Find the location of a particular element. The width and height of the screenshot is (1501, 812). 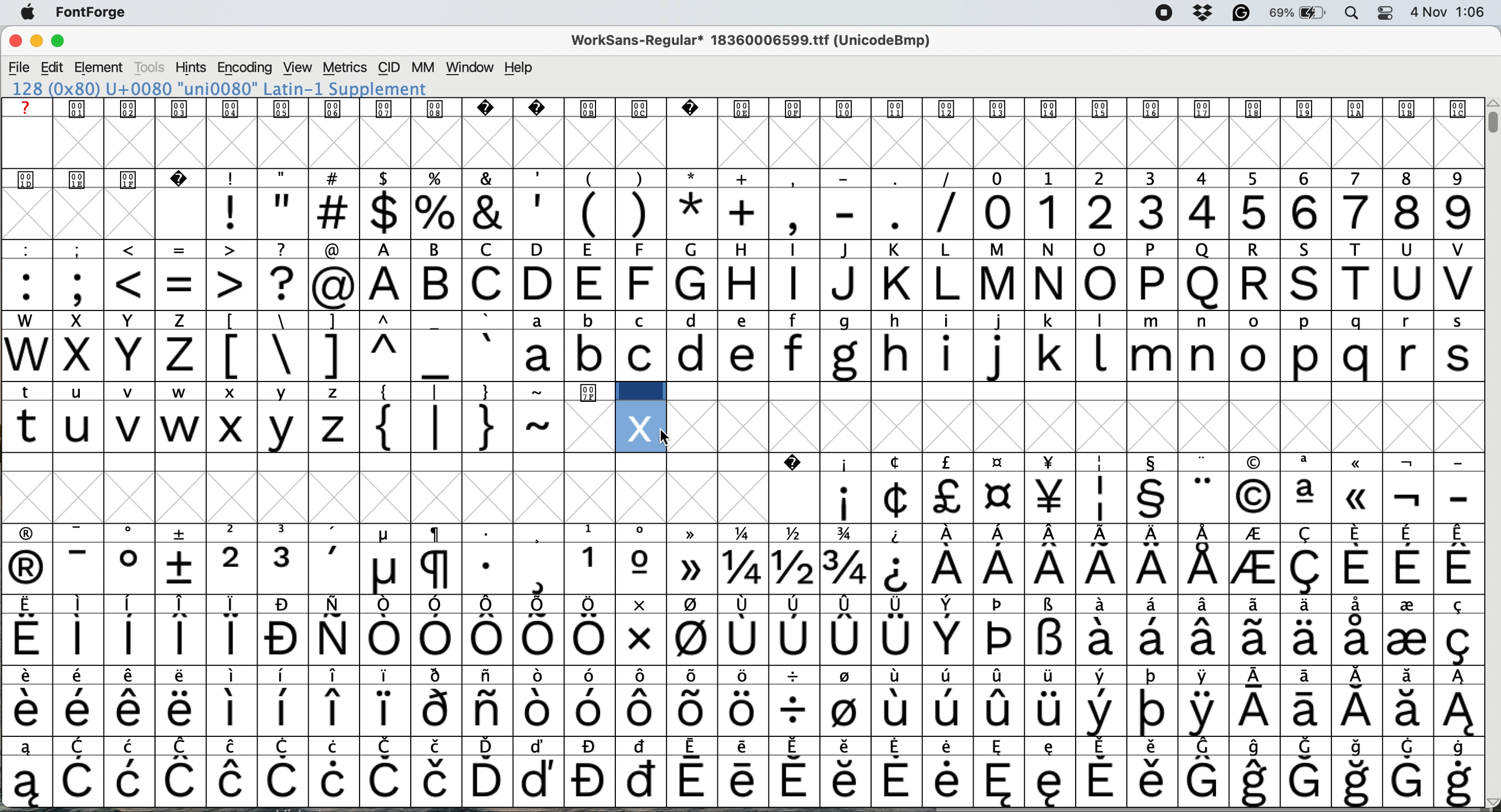

special characters is located at coordinates (740, 606).